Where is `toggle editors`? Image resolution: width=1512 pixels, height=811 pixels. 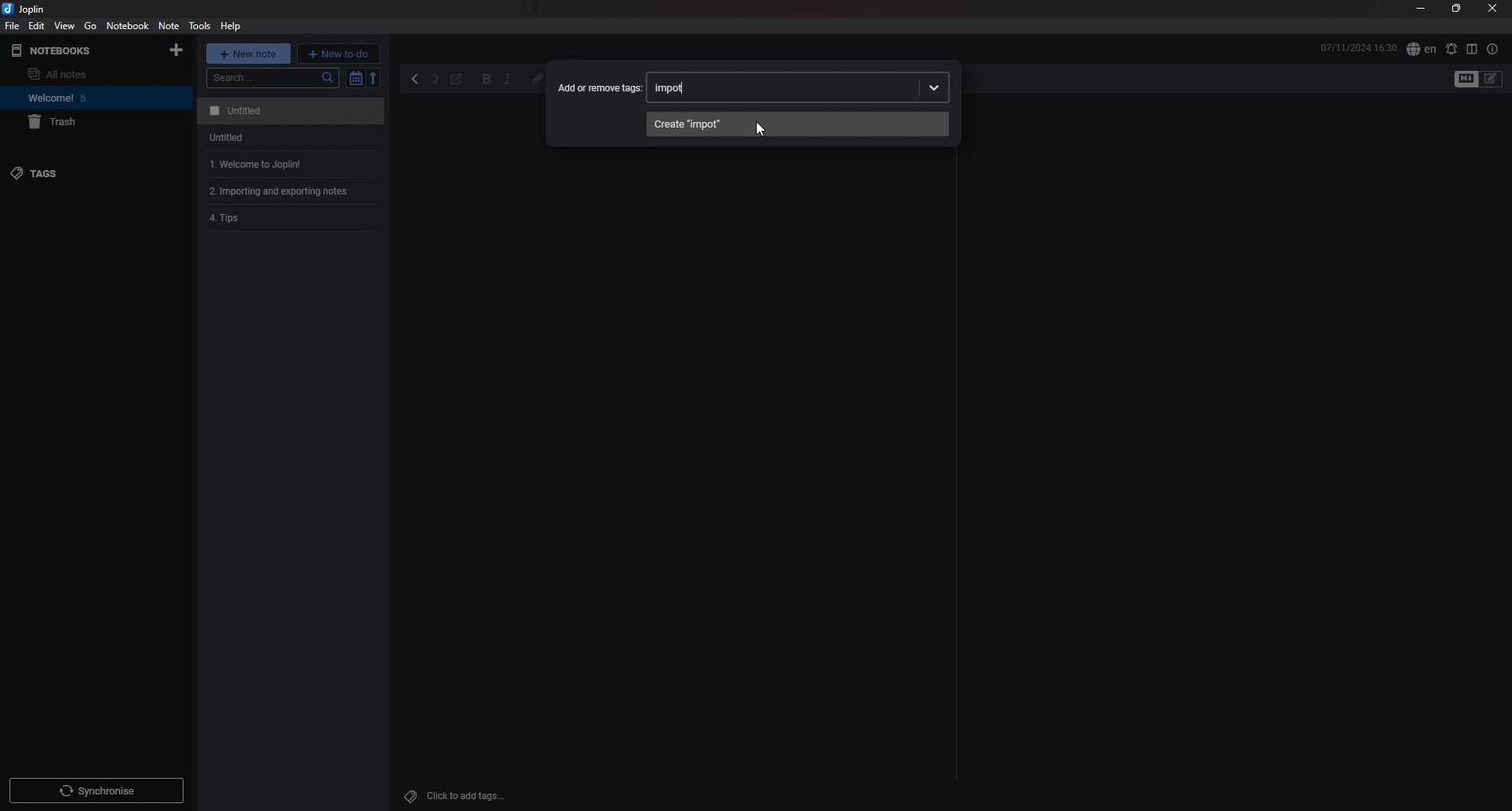 toggle editors is located at coordinates (1466, 80).